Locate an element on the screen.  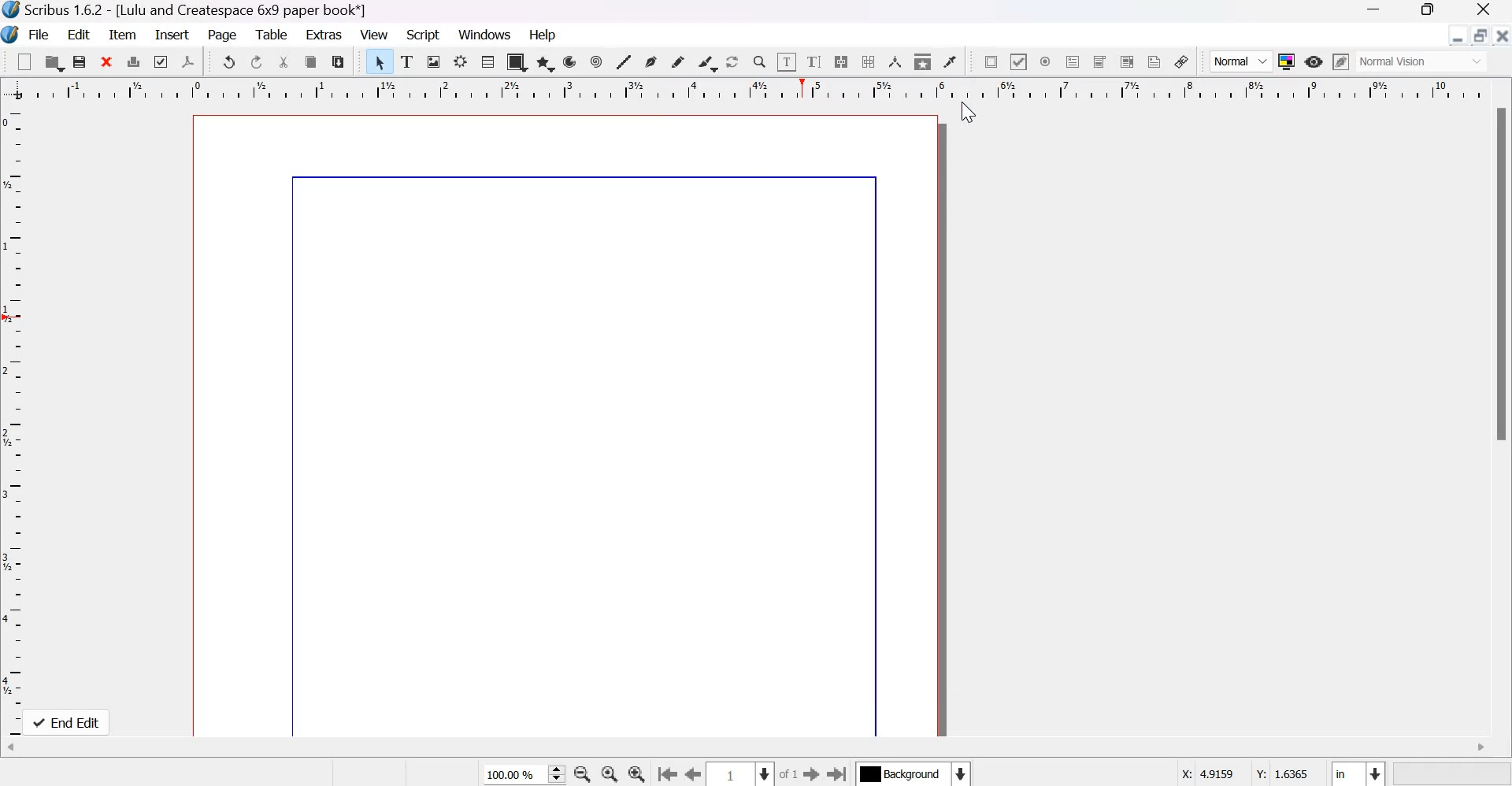
Script is located at coordinates (423, 34).